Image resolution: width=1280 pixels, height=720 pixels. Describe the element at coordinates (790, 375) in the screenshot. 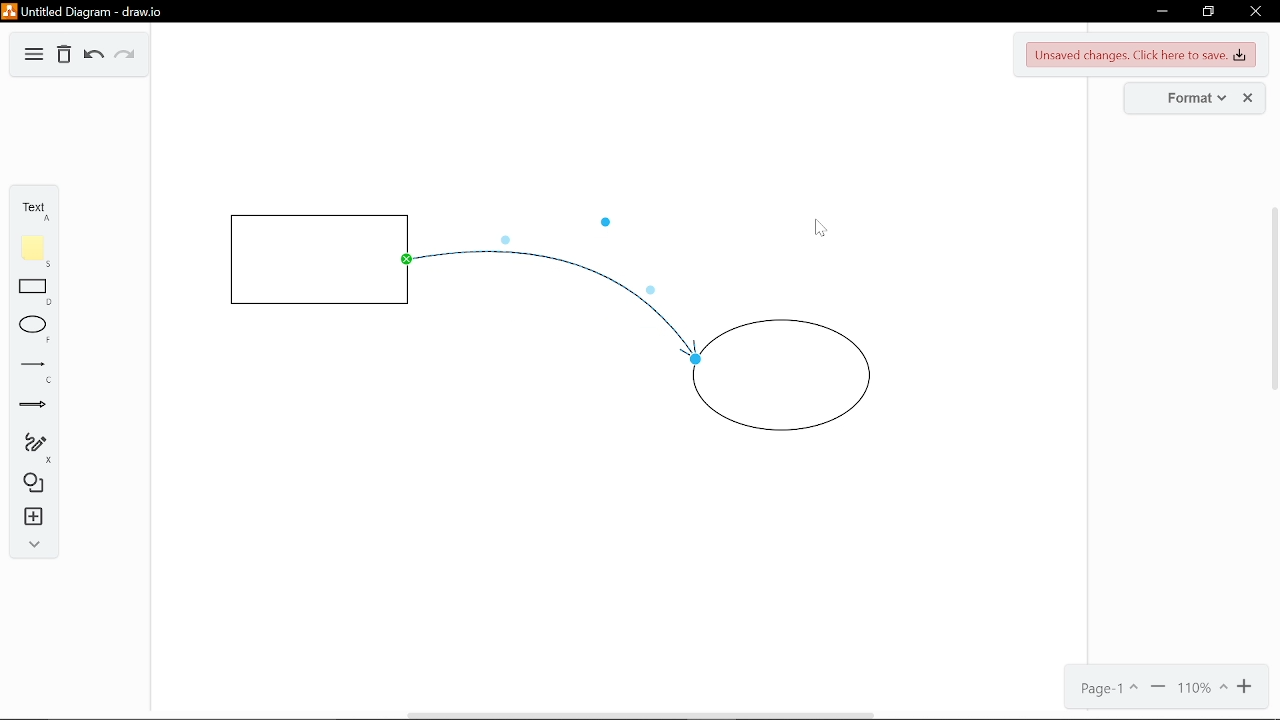

I see `Circle shape` at that location.